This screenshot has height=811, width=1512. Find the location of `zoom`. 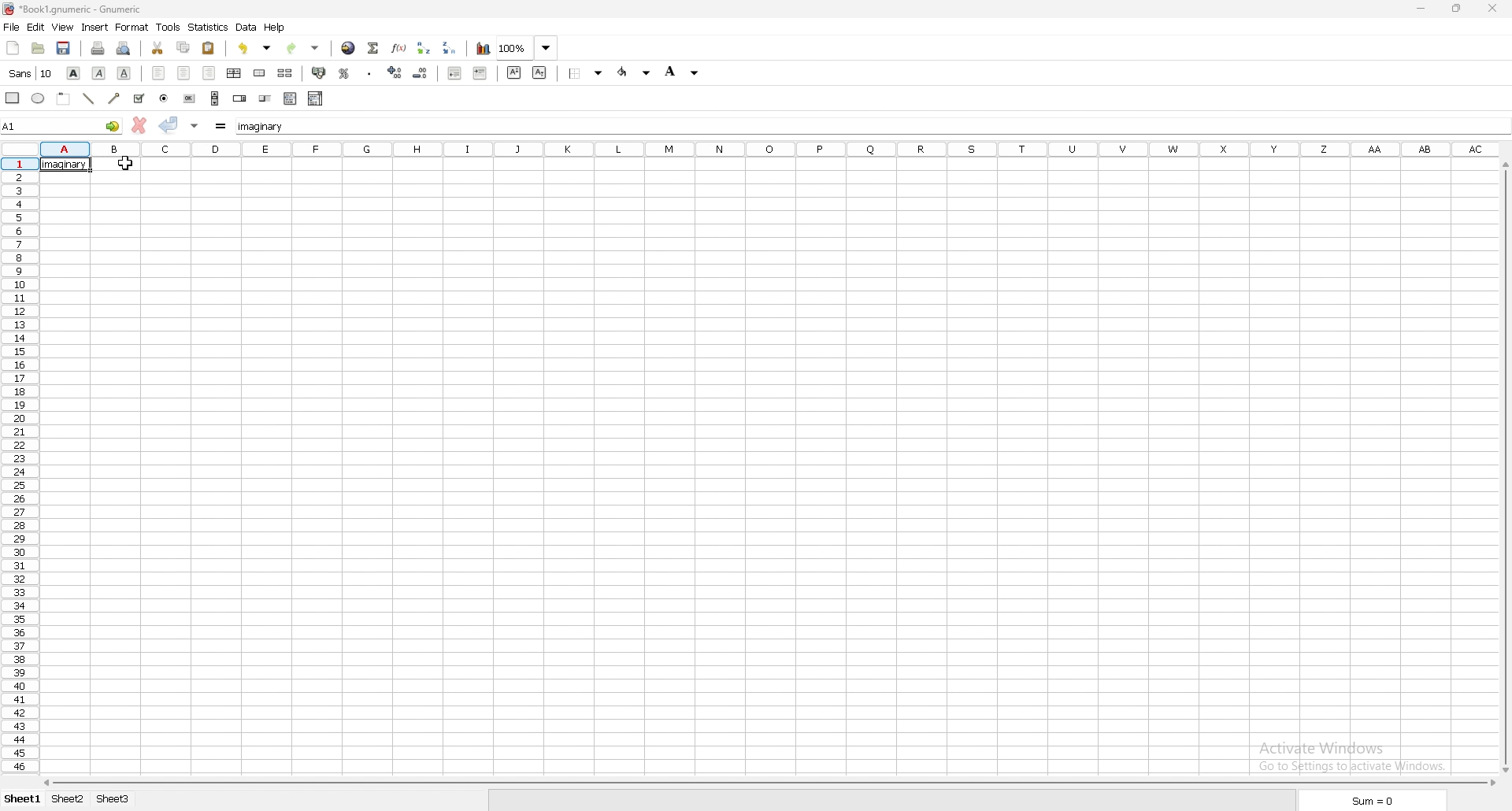

zoom is located at coordinates (527, 47).